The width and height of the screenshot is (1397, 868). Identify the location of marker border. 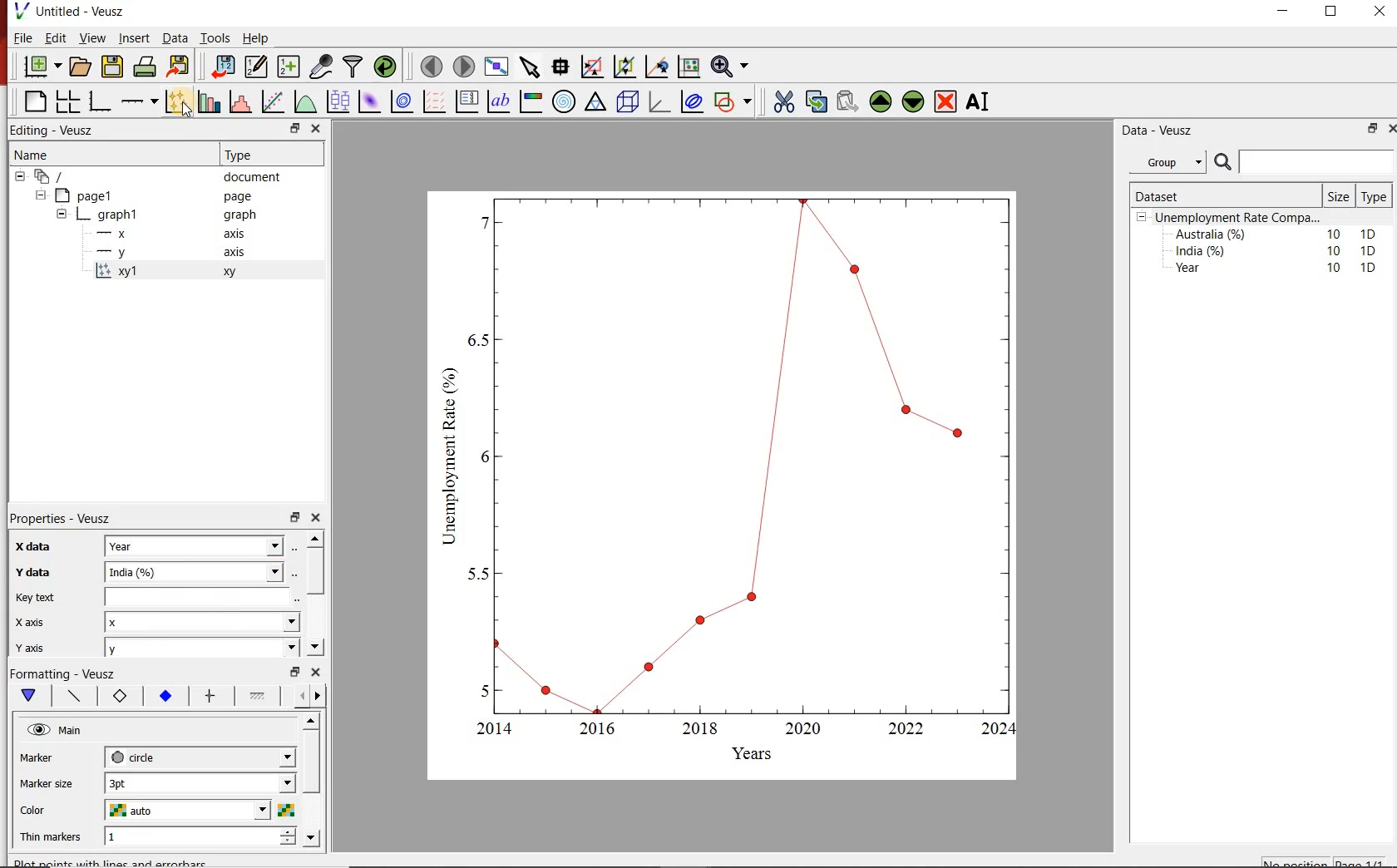
(119, 697).